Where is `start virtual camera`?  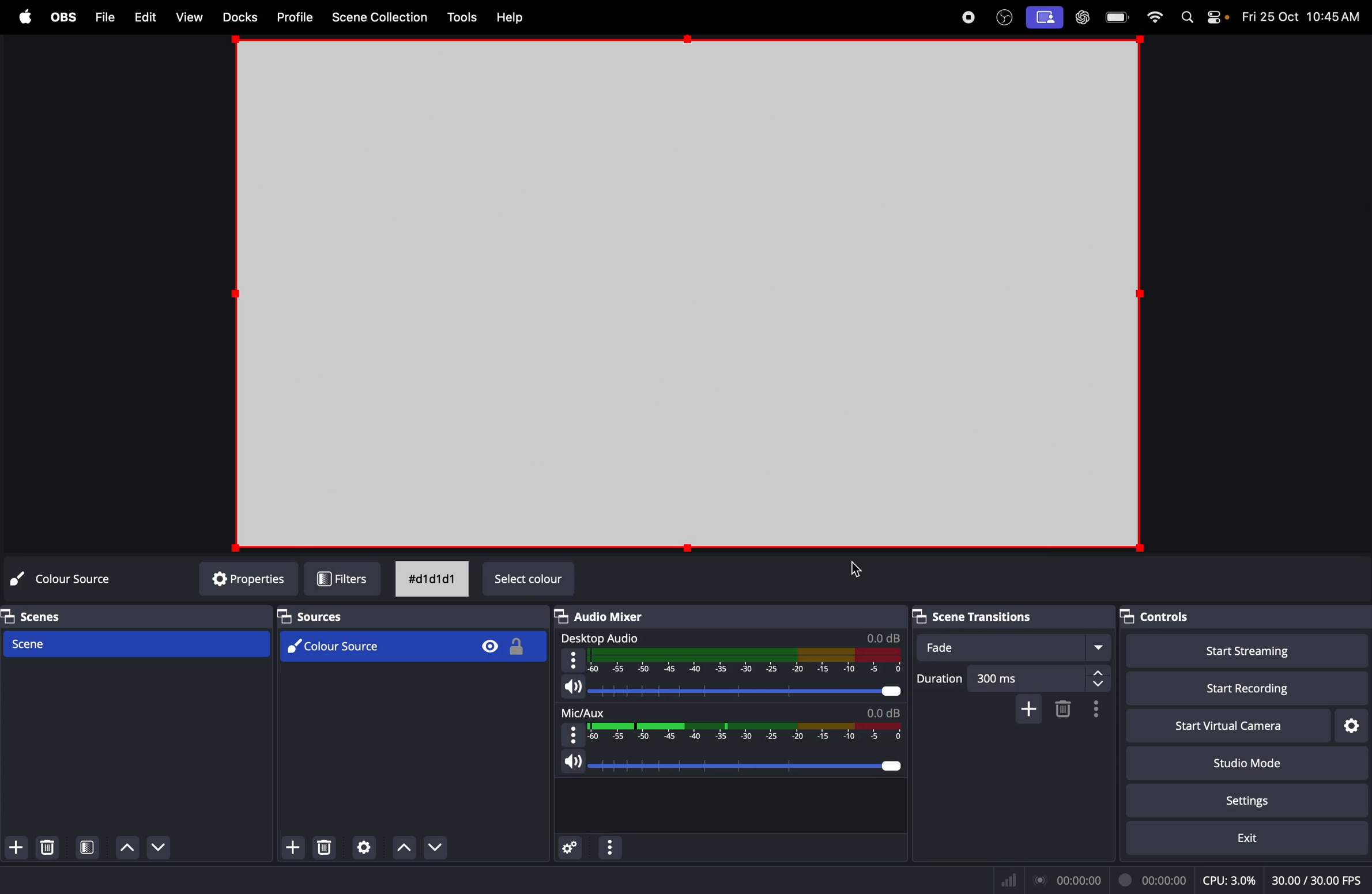 start virtual camera is located at coordinates (1153, 726).